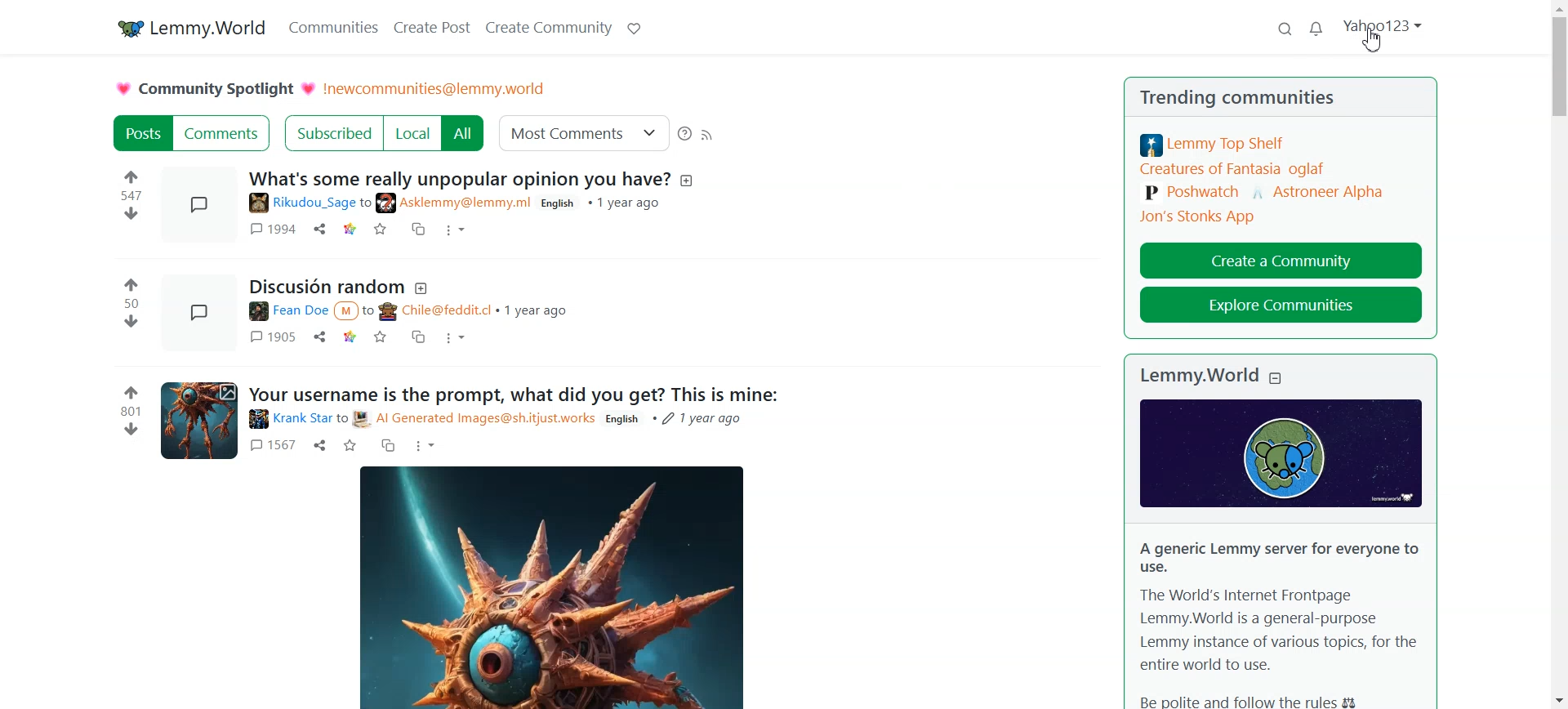 The height and width of the screenshot is (709, 1568). Describe the element at coordinates (382, 230) in the screenshot. I see `save` at that location.